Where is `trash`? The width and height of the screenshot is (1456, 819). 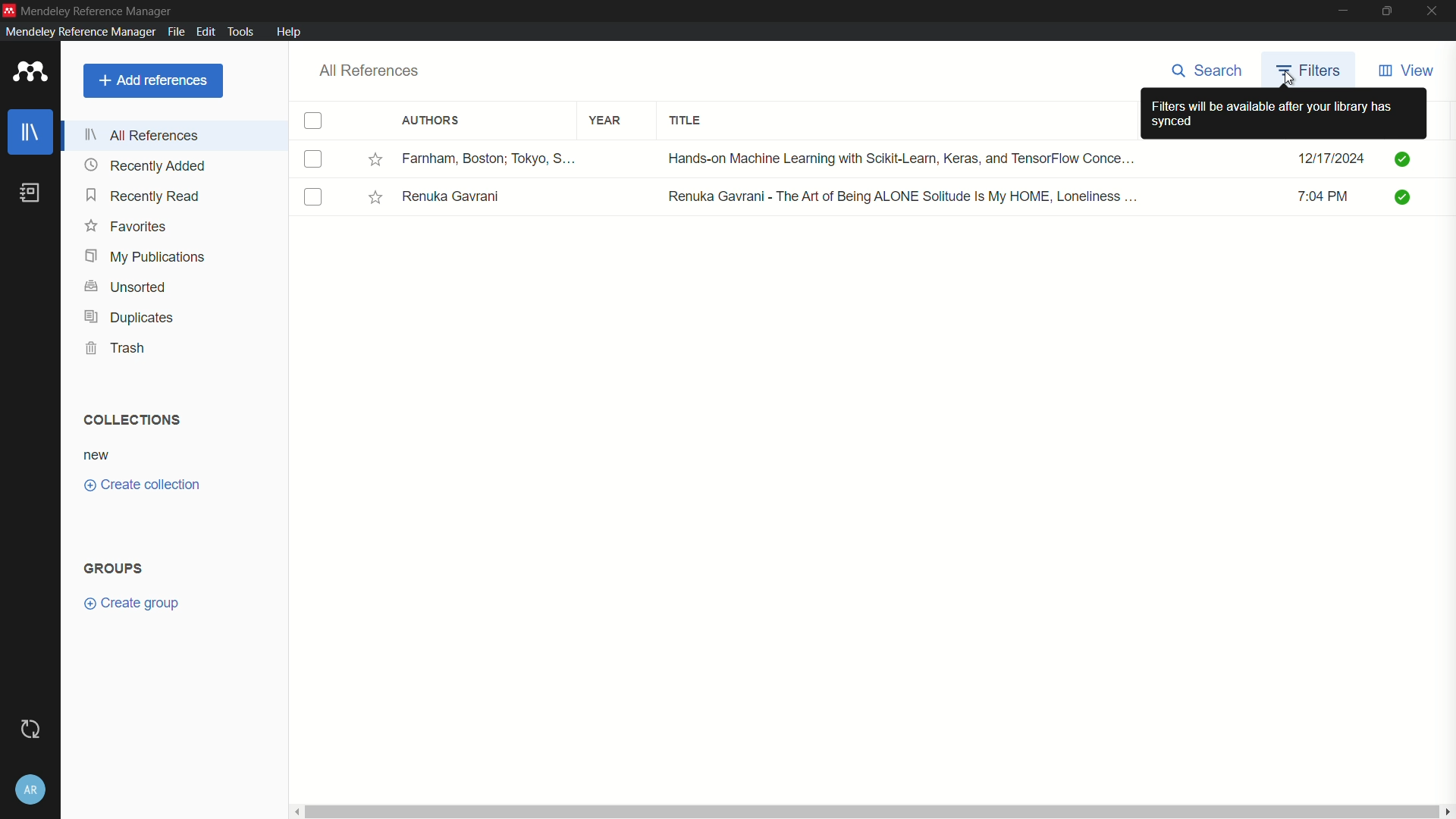
trash is located at coordinates (115, 347).